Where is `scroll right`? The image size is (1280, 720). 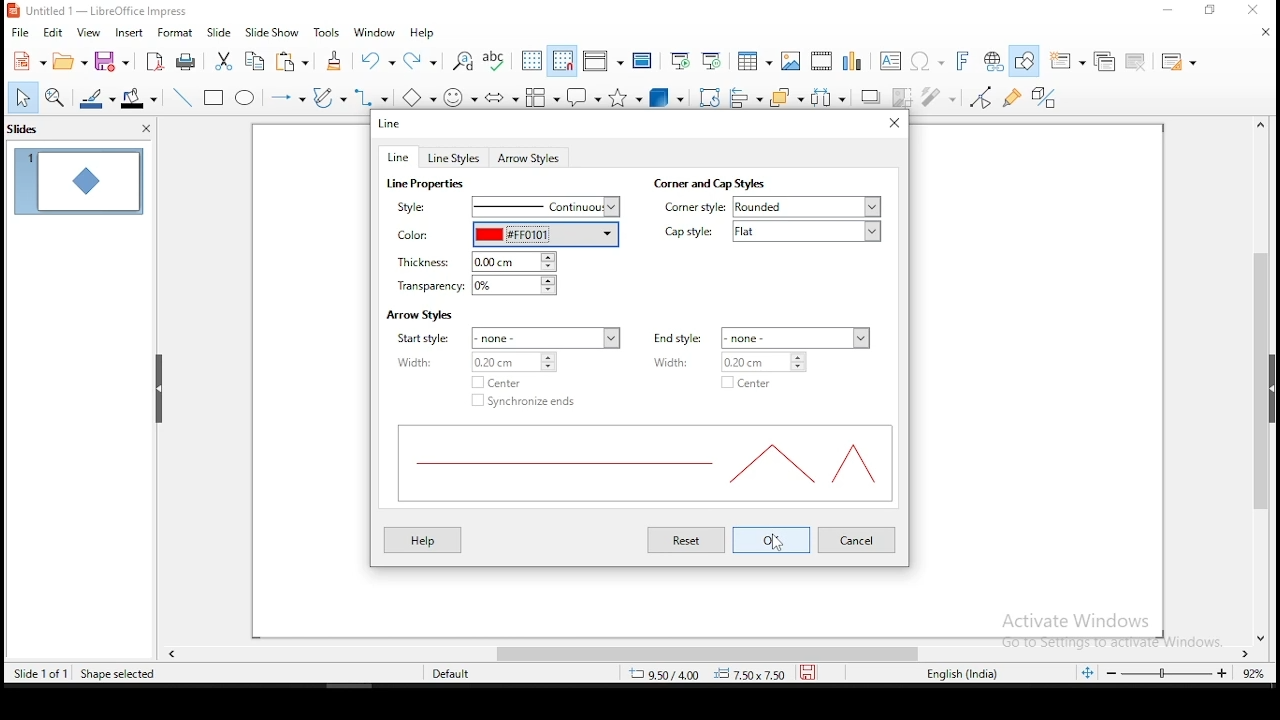 scroll right is located at coordinates (172, 651).